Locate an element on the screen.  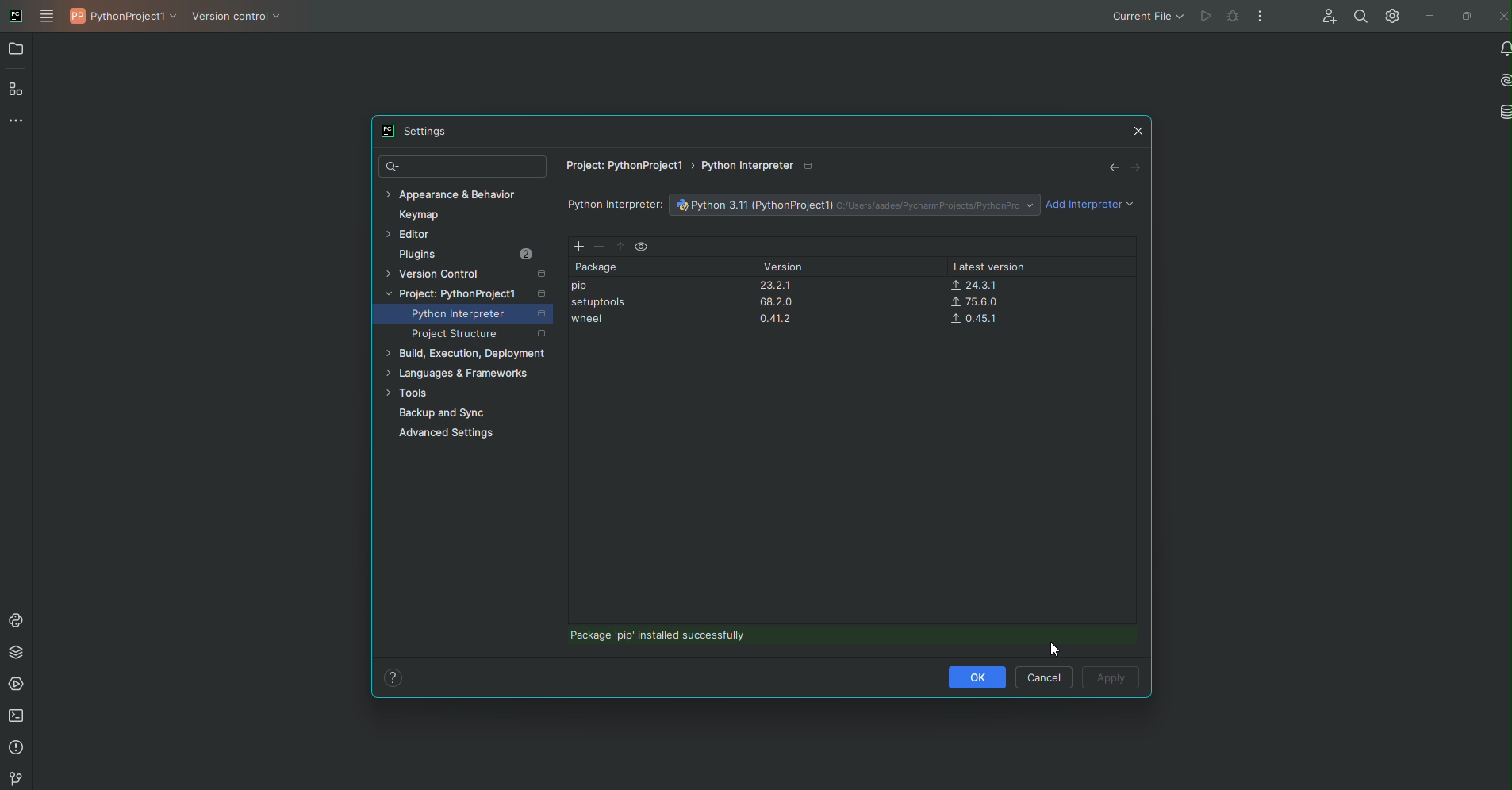
Move Up is located at coordinates (621, 247).